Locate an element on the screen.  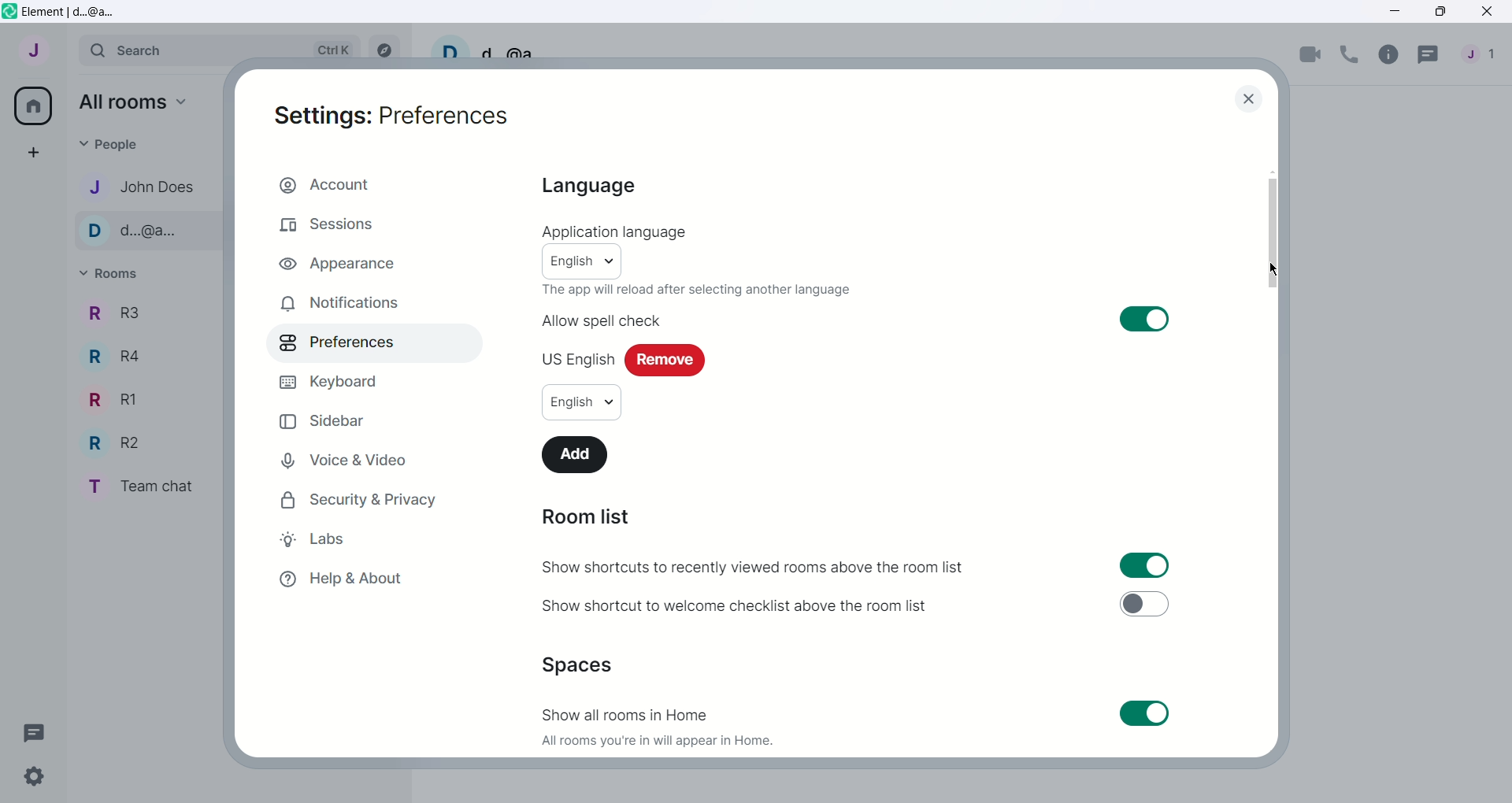
d...@a... is located at coordinates (521, 50).